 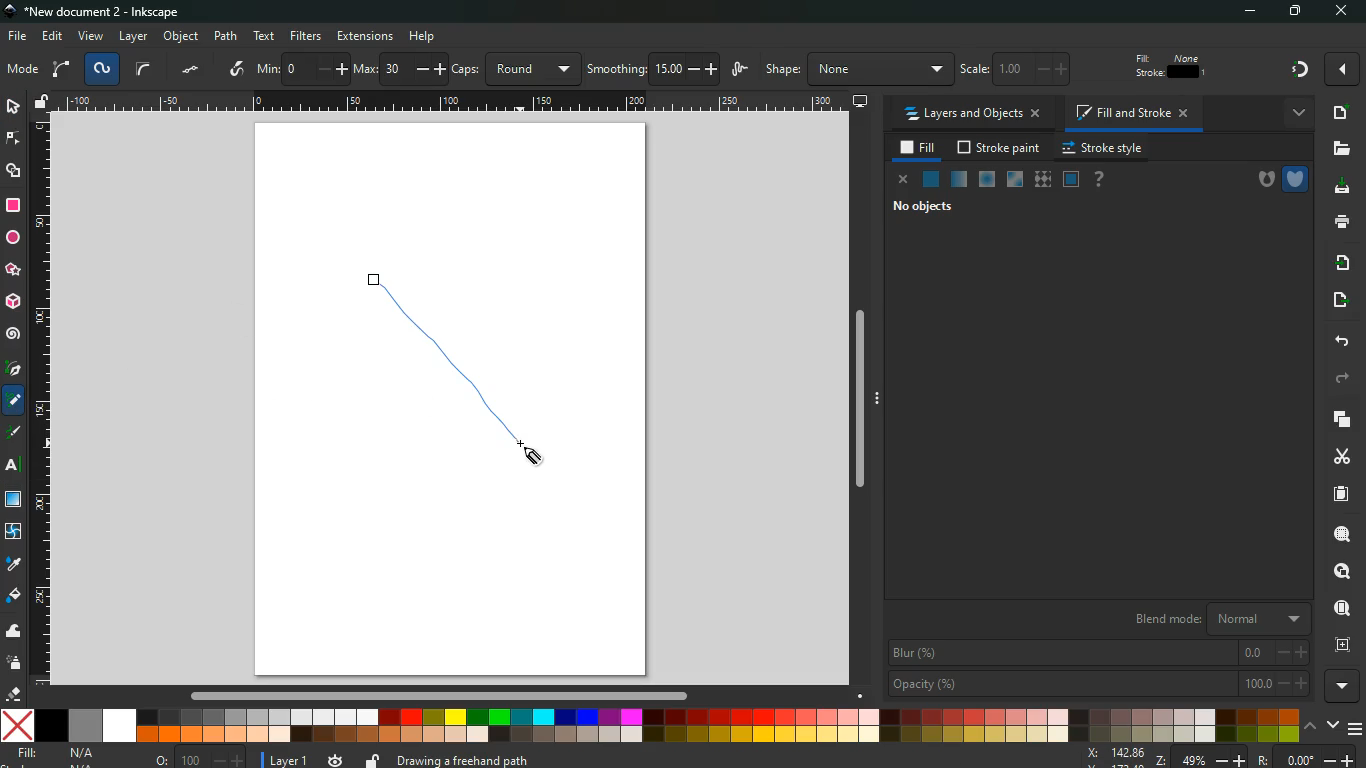 I want to click on more, so click(x=1344, y=686).